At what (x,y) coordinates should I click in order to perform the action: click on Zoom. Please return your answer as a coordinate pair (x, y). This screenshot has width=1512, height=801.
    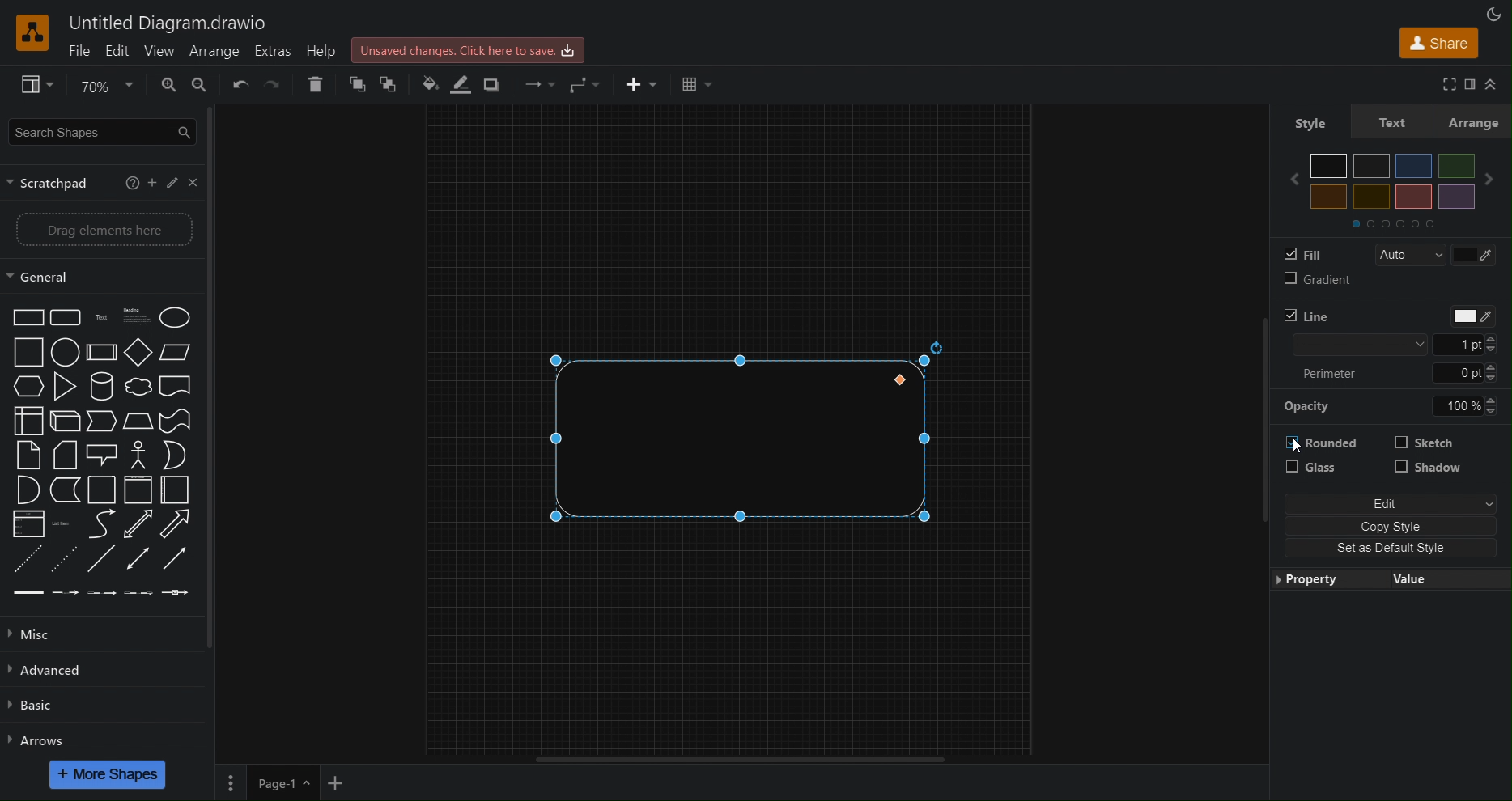
    Looking at the image, I should click on (104, 83).